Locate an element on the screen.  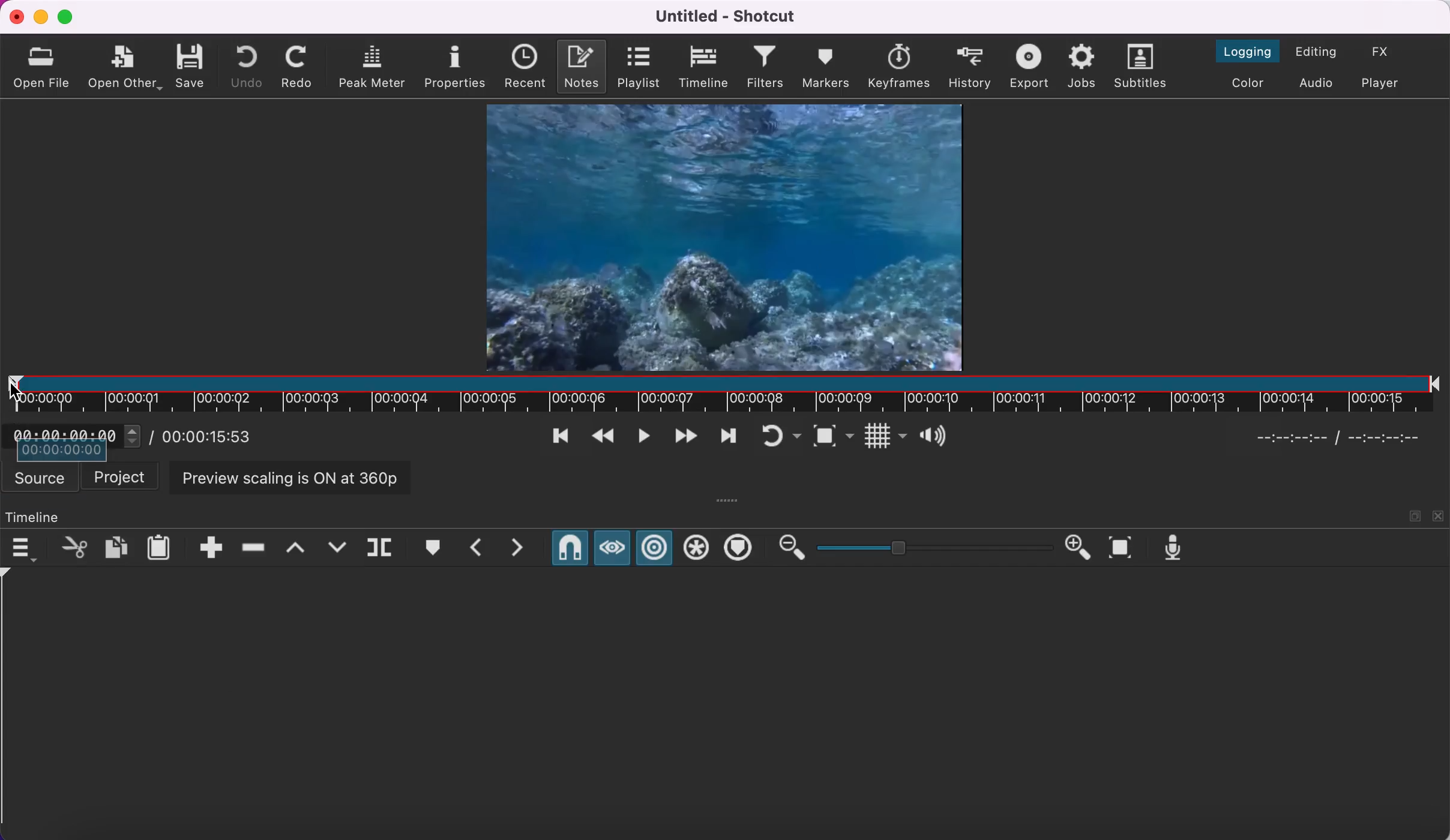
preview scaling is on at 360p is located at coordinates (290, 479).